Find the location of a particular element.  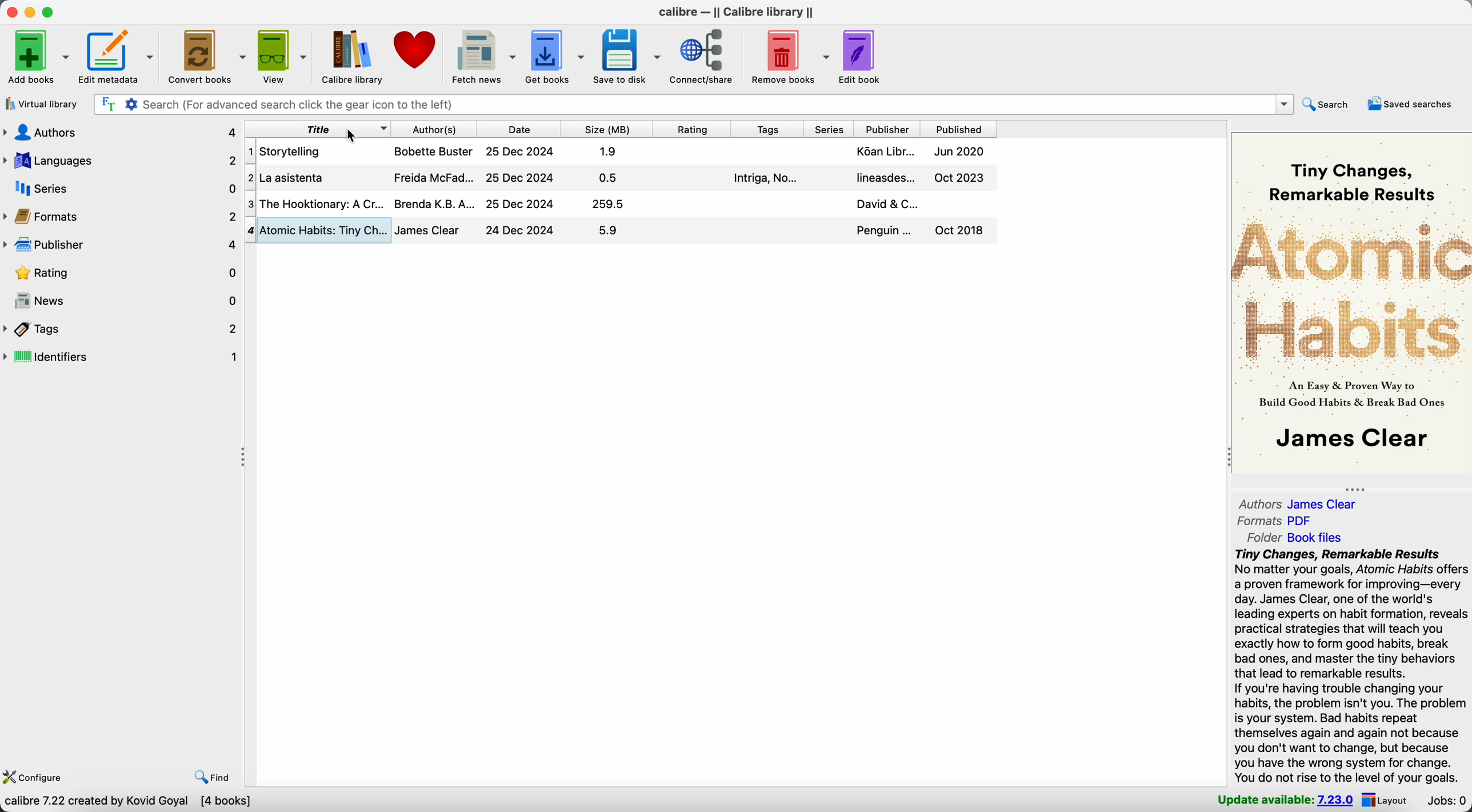

search bar is located at coordinates (695, 105).